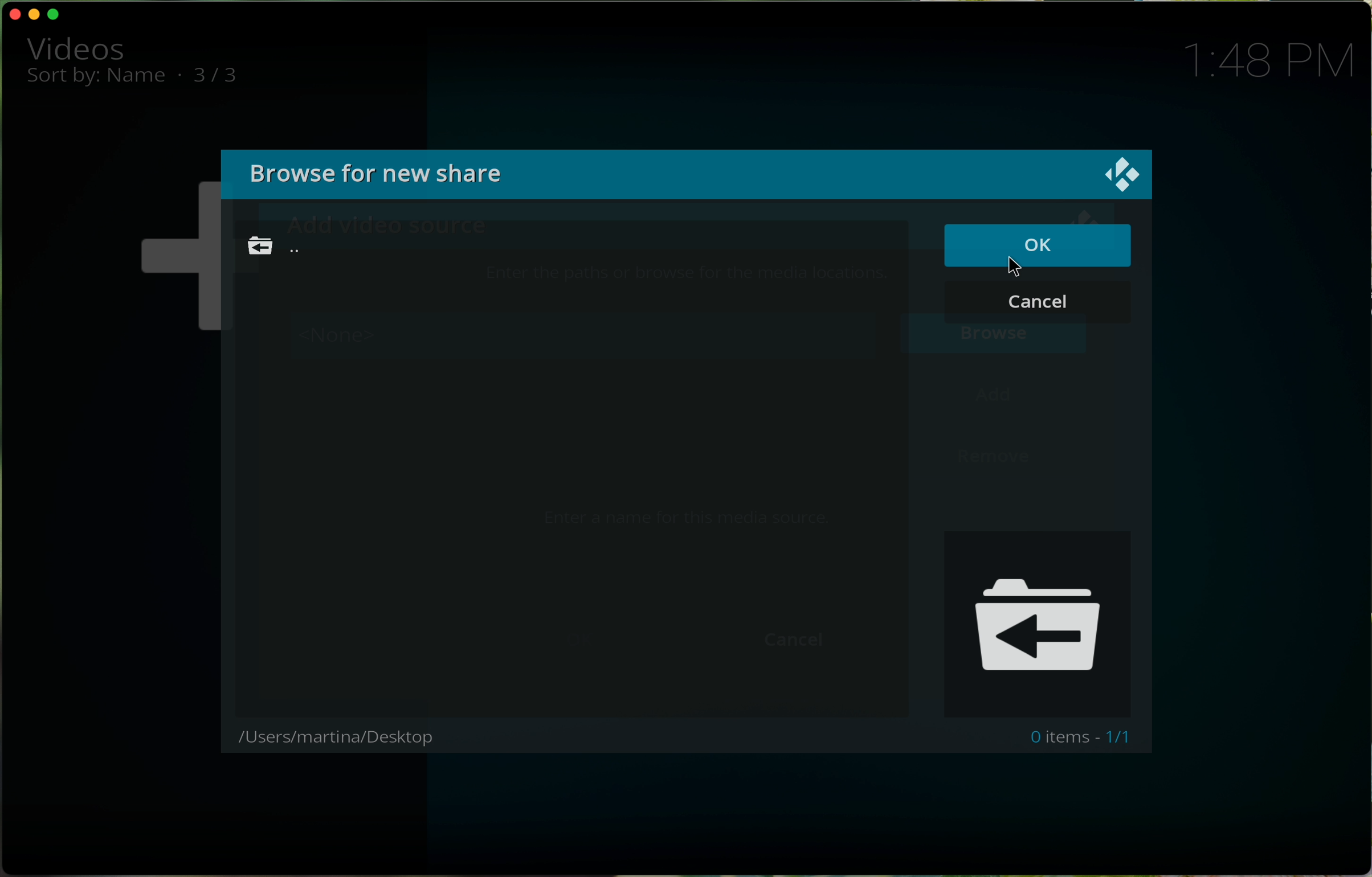 Image resolution: width=1372 pixels, height=877 pixels. I want to click on file path, so click(341, 738).